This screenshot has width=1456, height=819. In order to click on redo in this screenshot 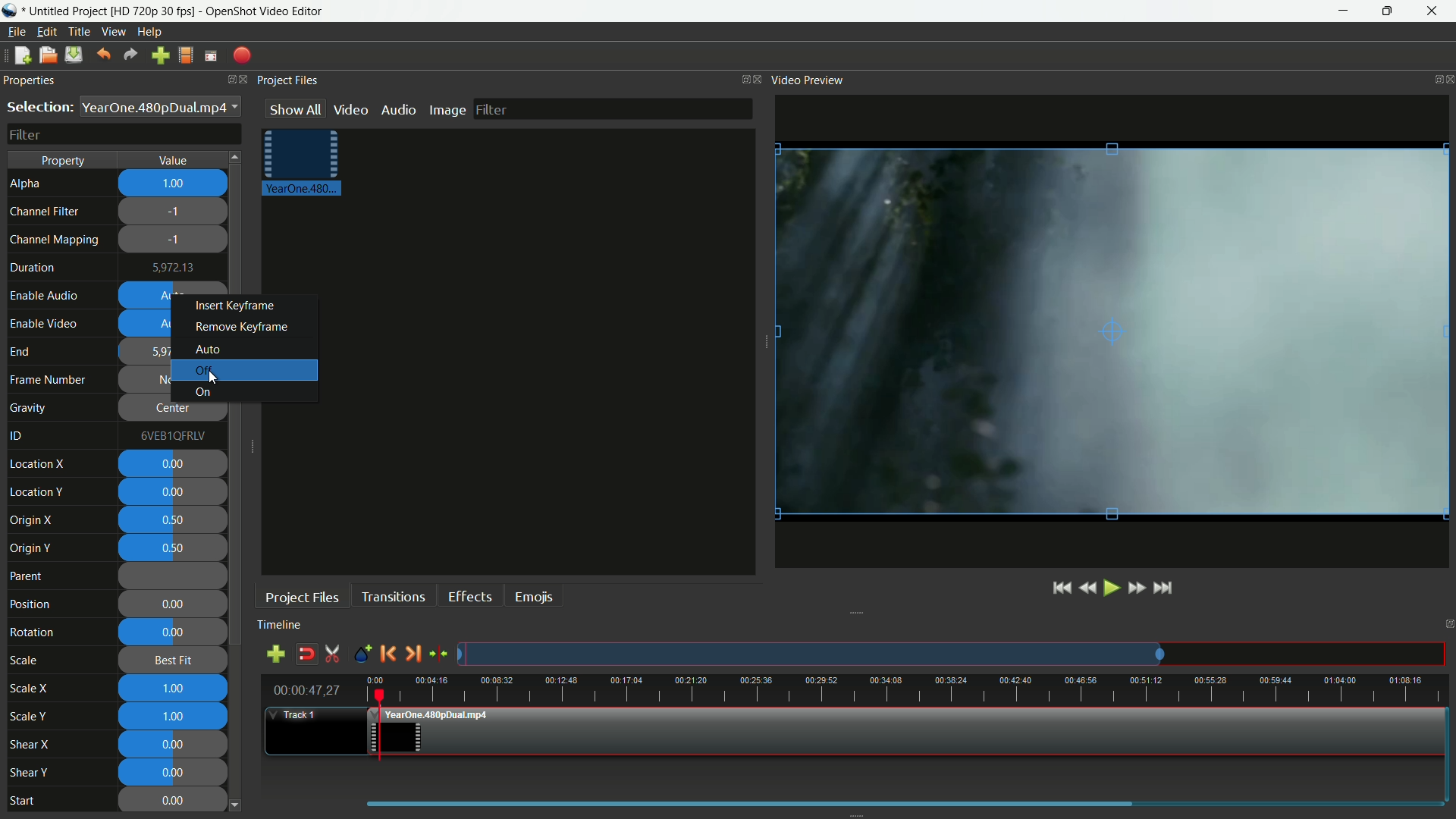, I will do `click(130, 55)`.